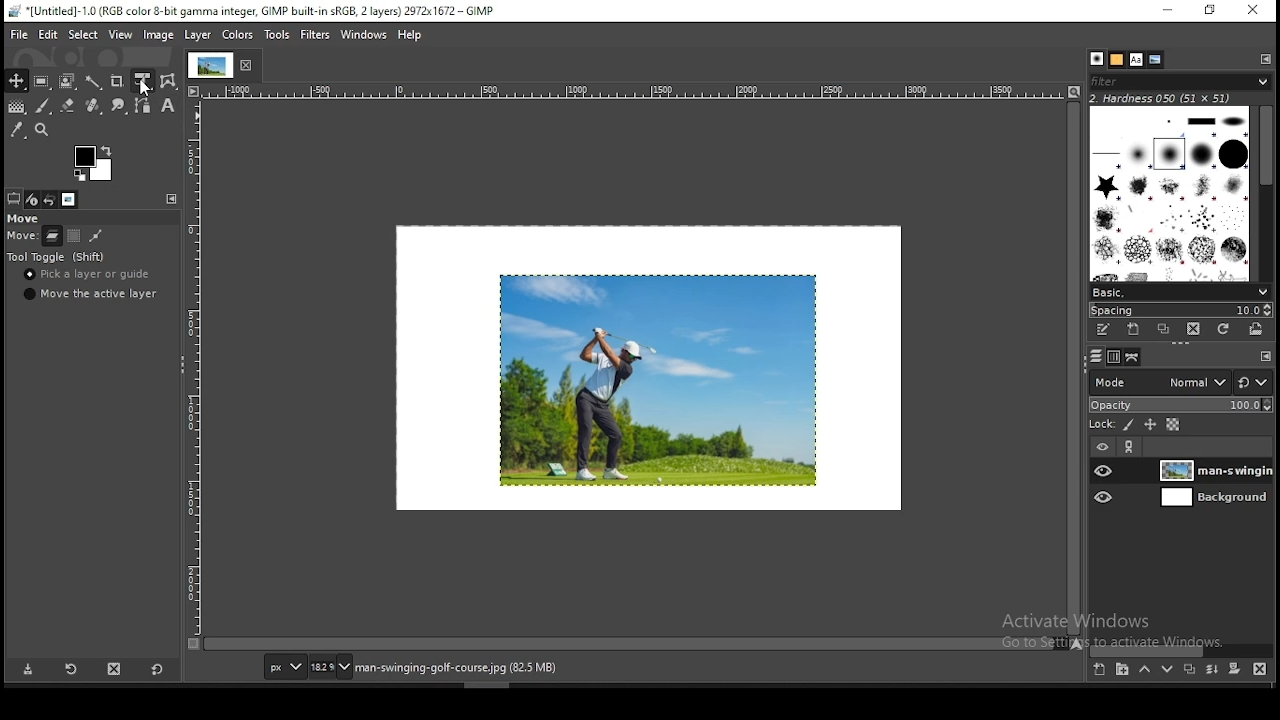  Describe the element at coordinates (1135, 58) in the screenshot. I see `fonts` at that location.